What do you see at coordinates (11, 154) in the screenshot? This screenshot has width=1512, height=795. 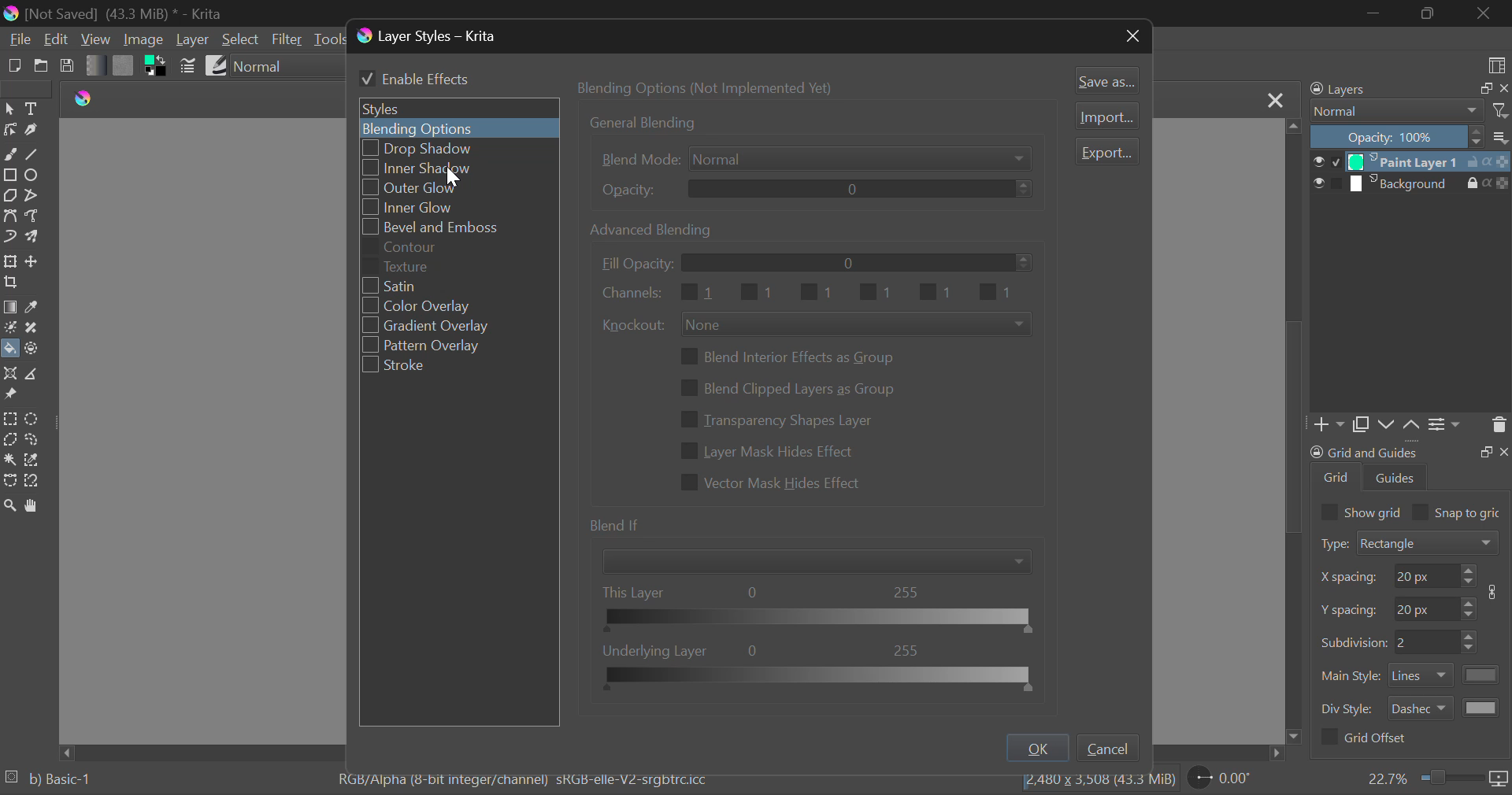 I see `Freehand` at bounding box center [11, 154].